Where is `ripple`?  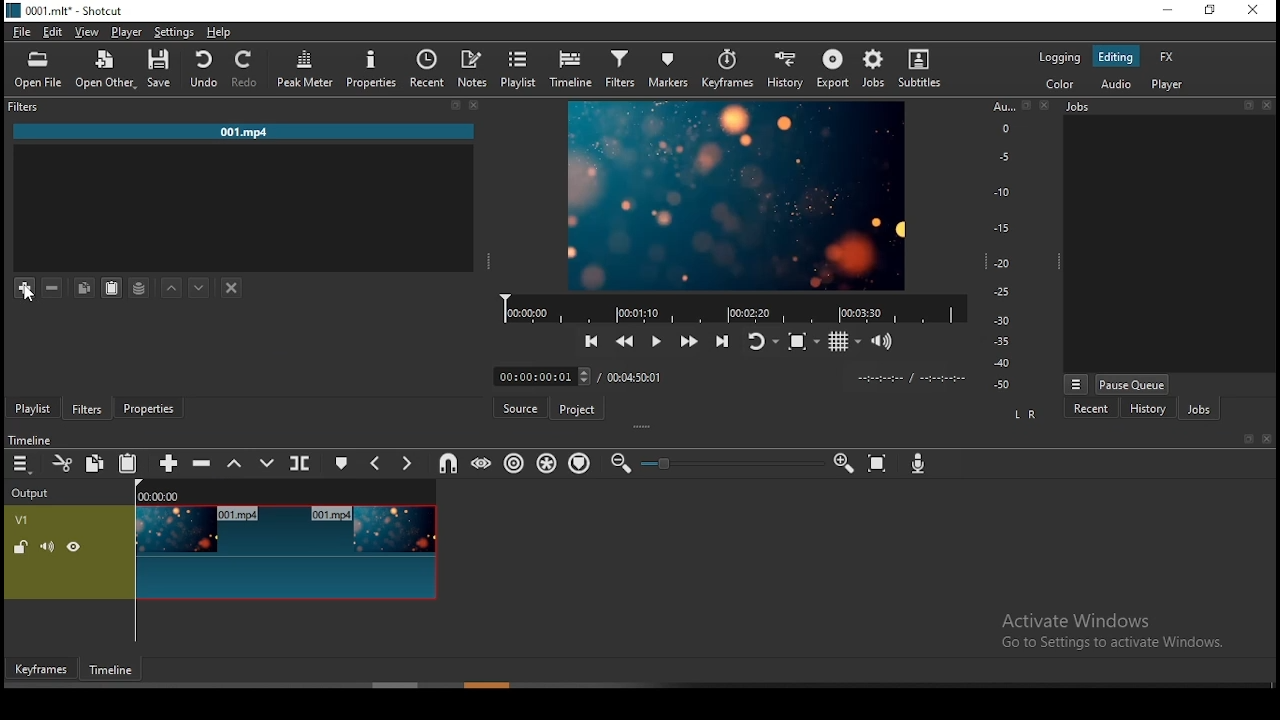 ripple is located at coordinates (511, 463).